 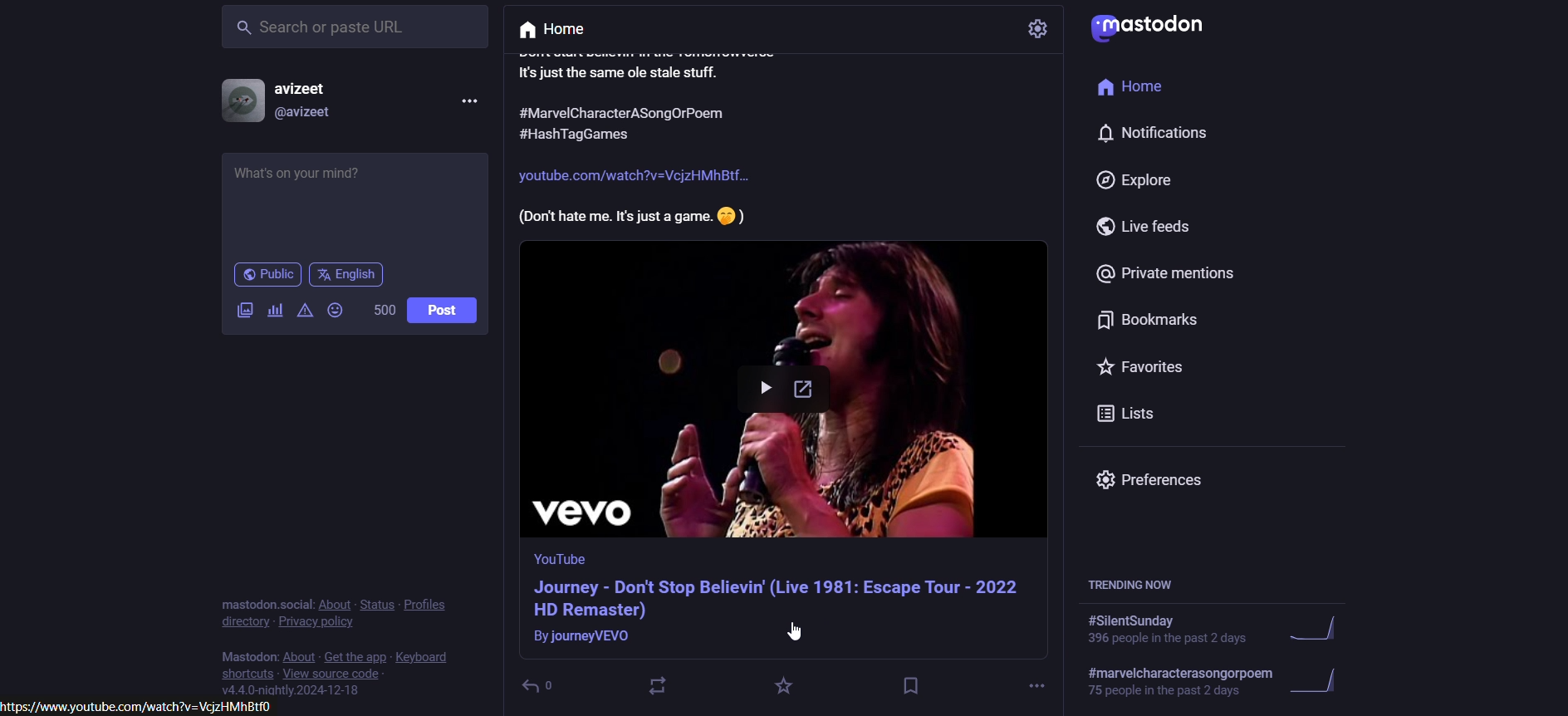 I want to click on , so click(x=542, y=686).